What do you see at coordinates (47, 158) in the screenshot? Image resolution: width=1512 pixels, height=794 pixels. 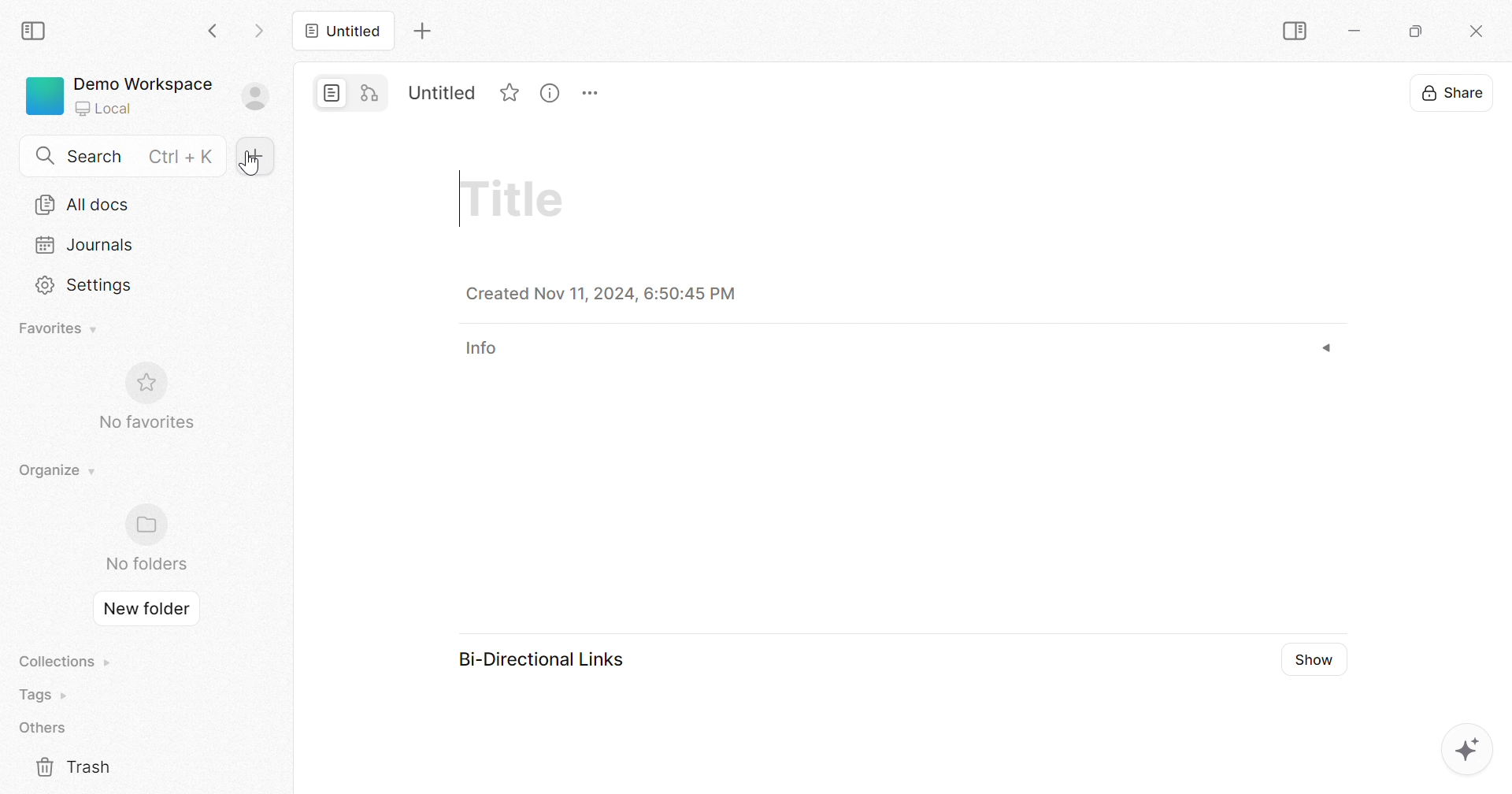 I see `Search icon` at bounding box center [47, 158].